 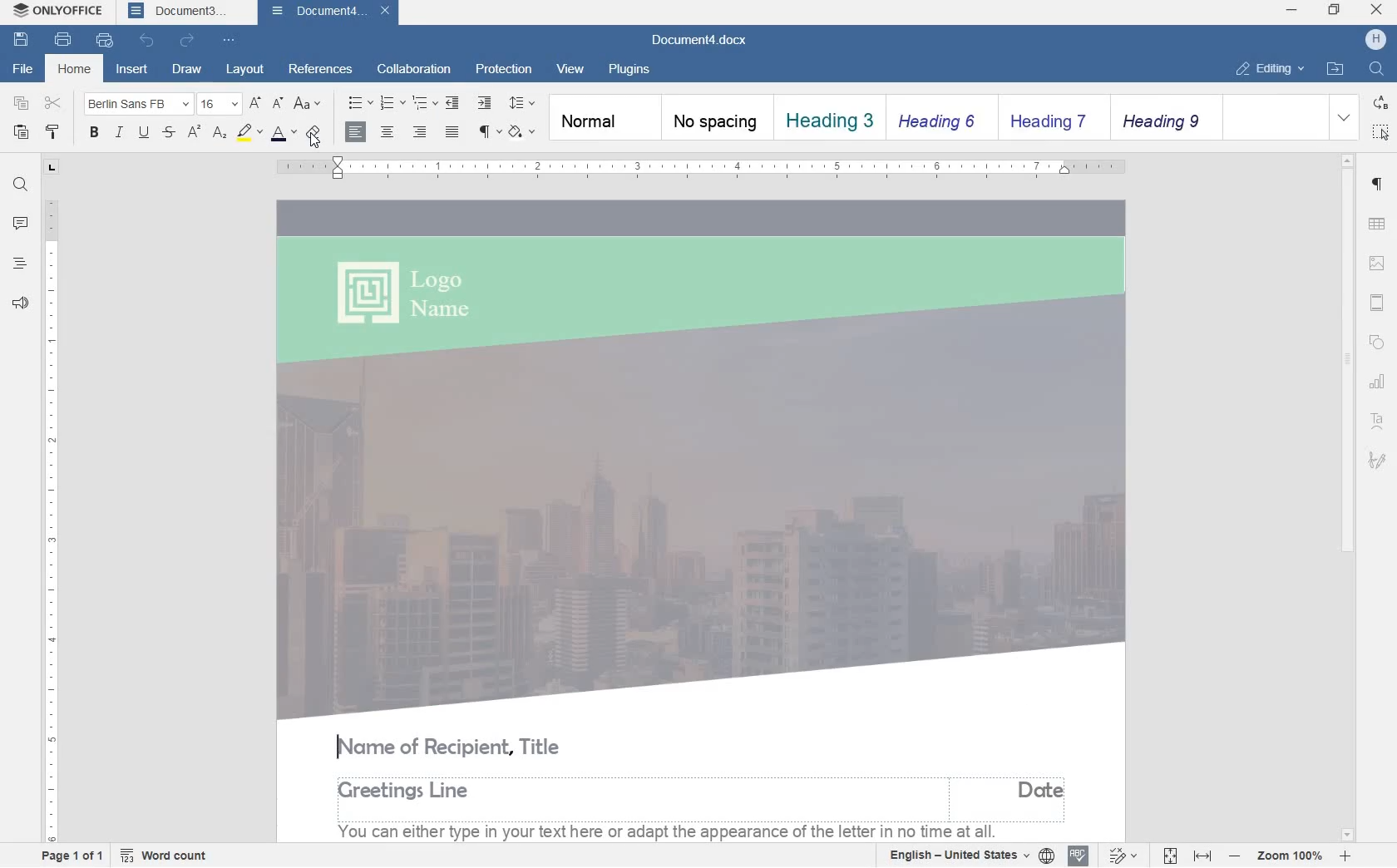 I want to click on english - united states, so click(x=966, y=855).